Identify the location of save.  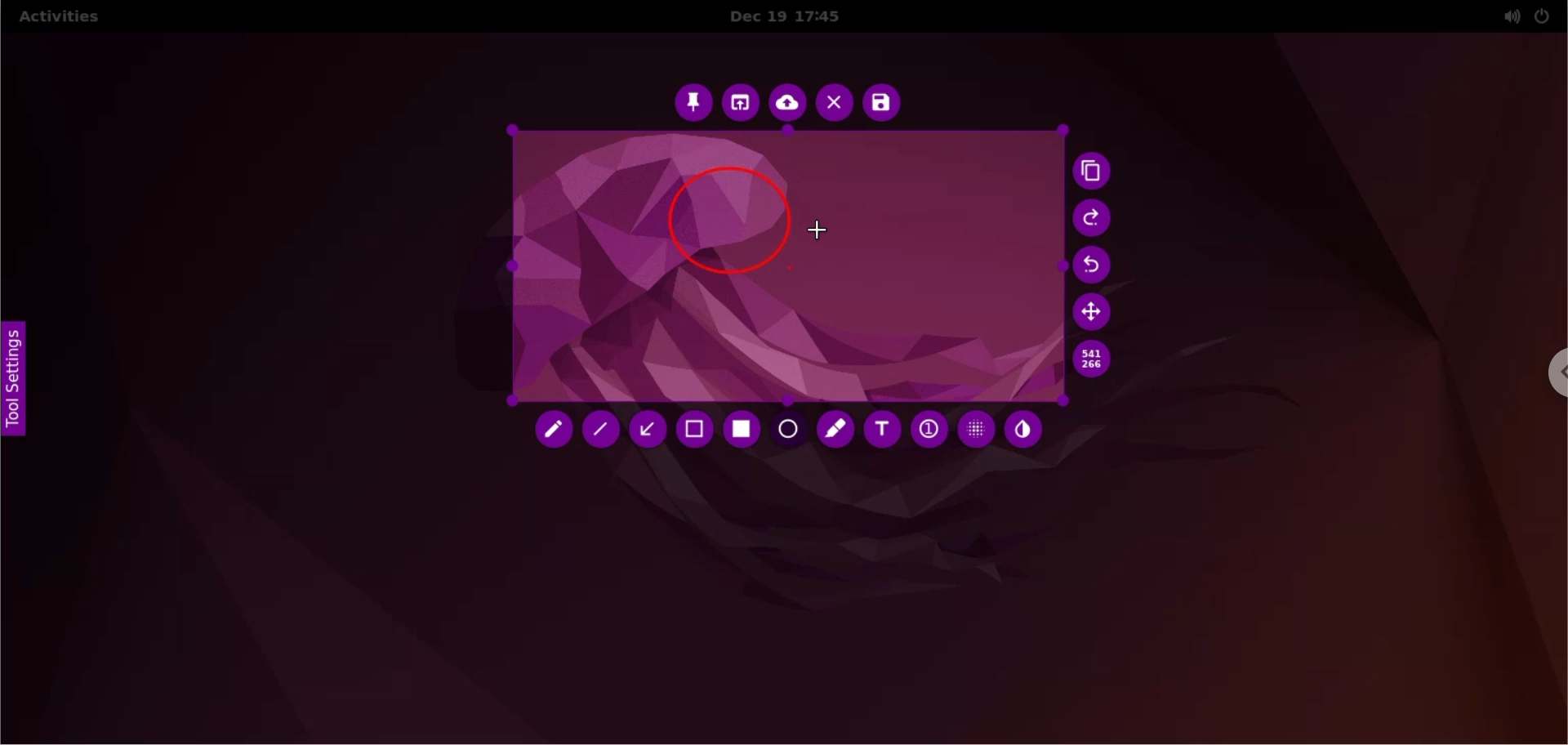
(881, 103).